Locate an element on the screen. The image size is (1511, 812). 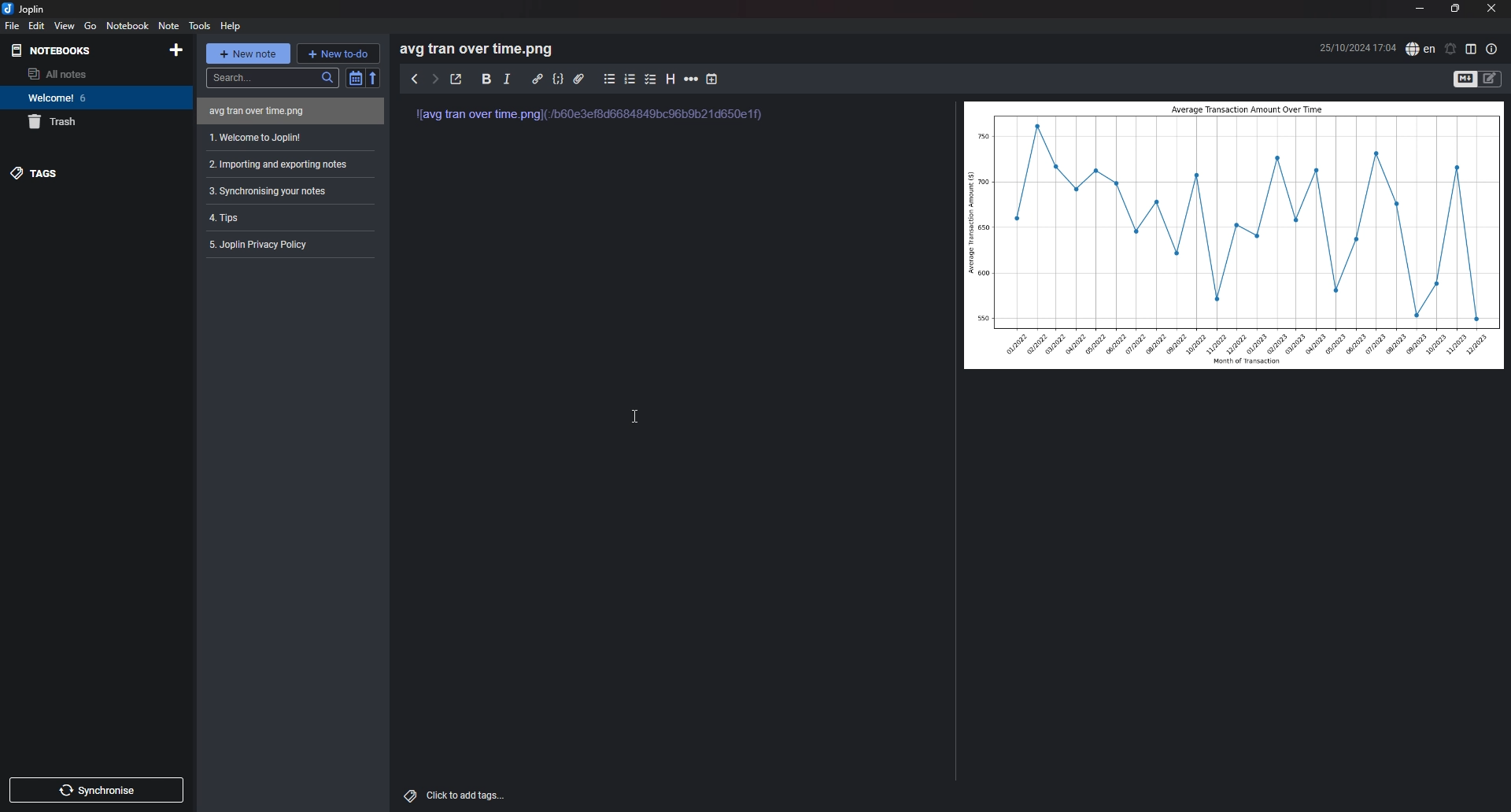
insert time is located at coordinates (711, 79).